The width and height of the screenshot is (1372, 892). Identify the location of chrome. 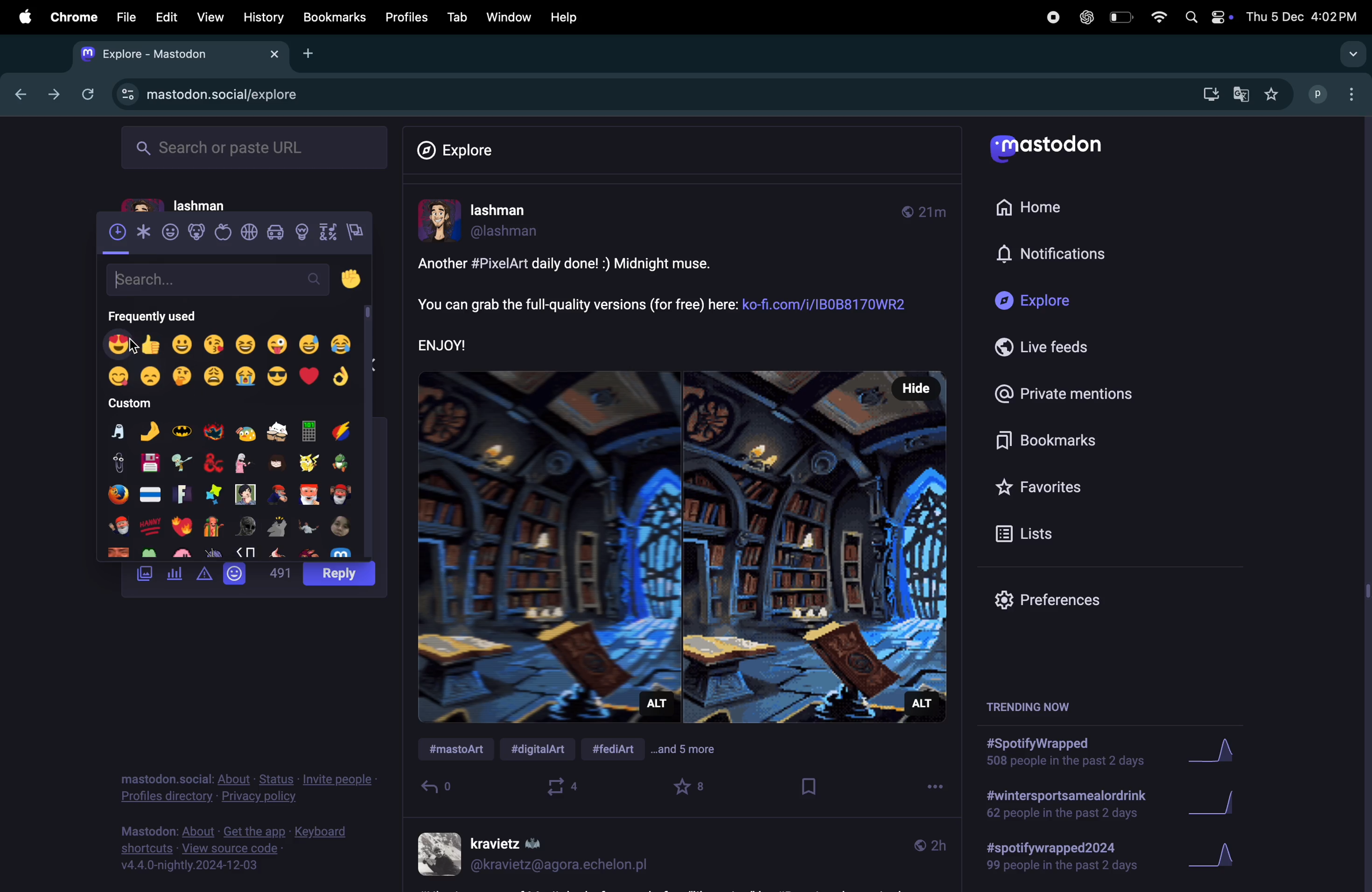
(75, 18).